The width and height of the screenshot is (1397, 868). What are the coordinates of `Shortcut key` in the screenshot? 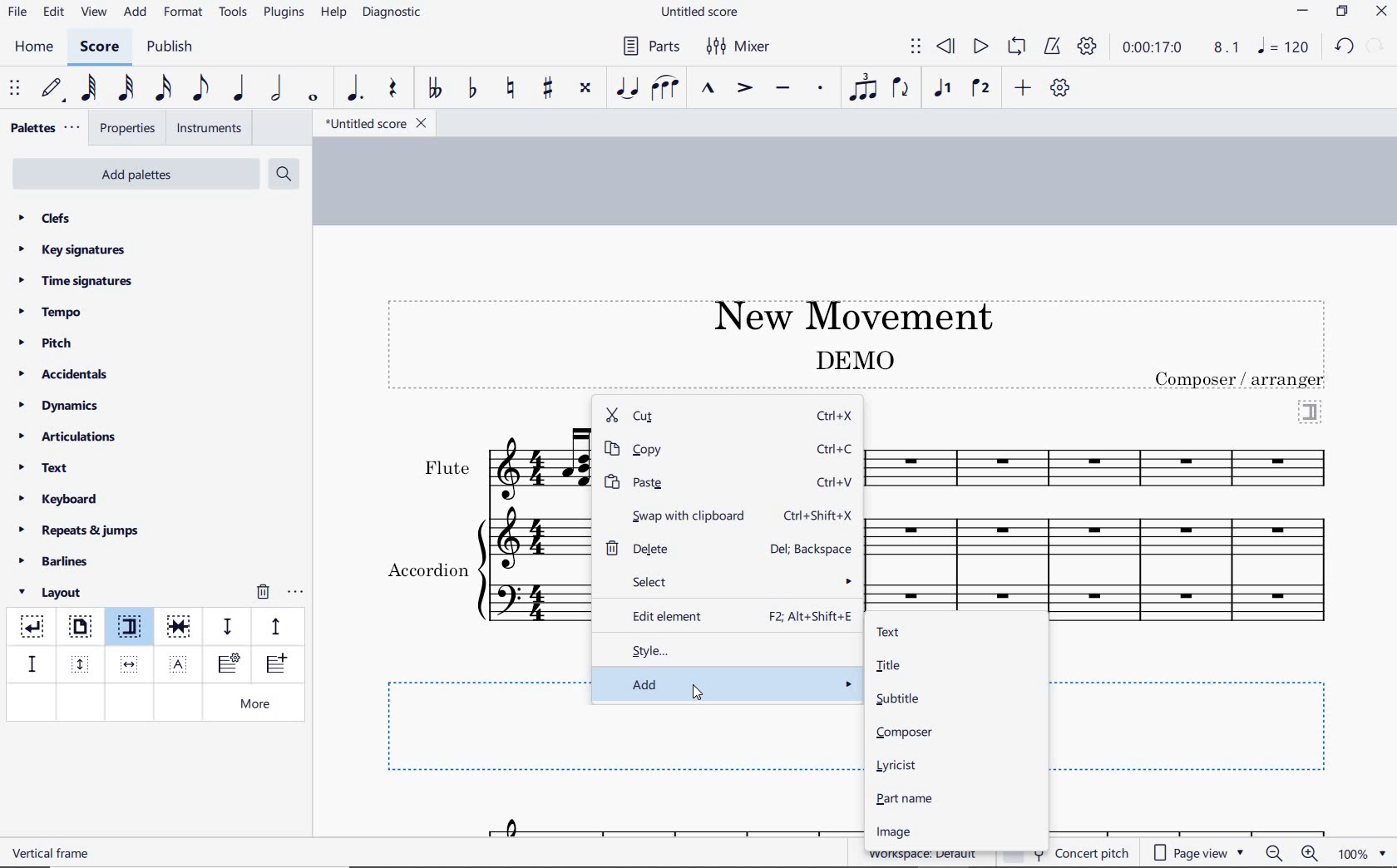 It's located at (837, 481).